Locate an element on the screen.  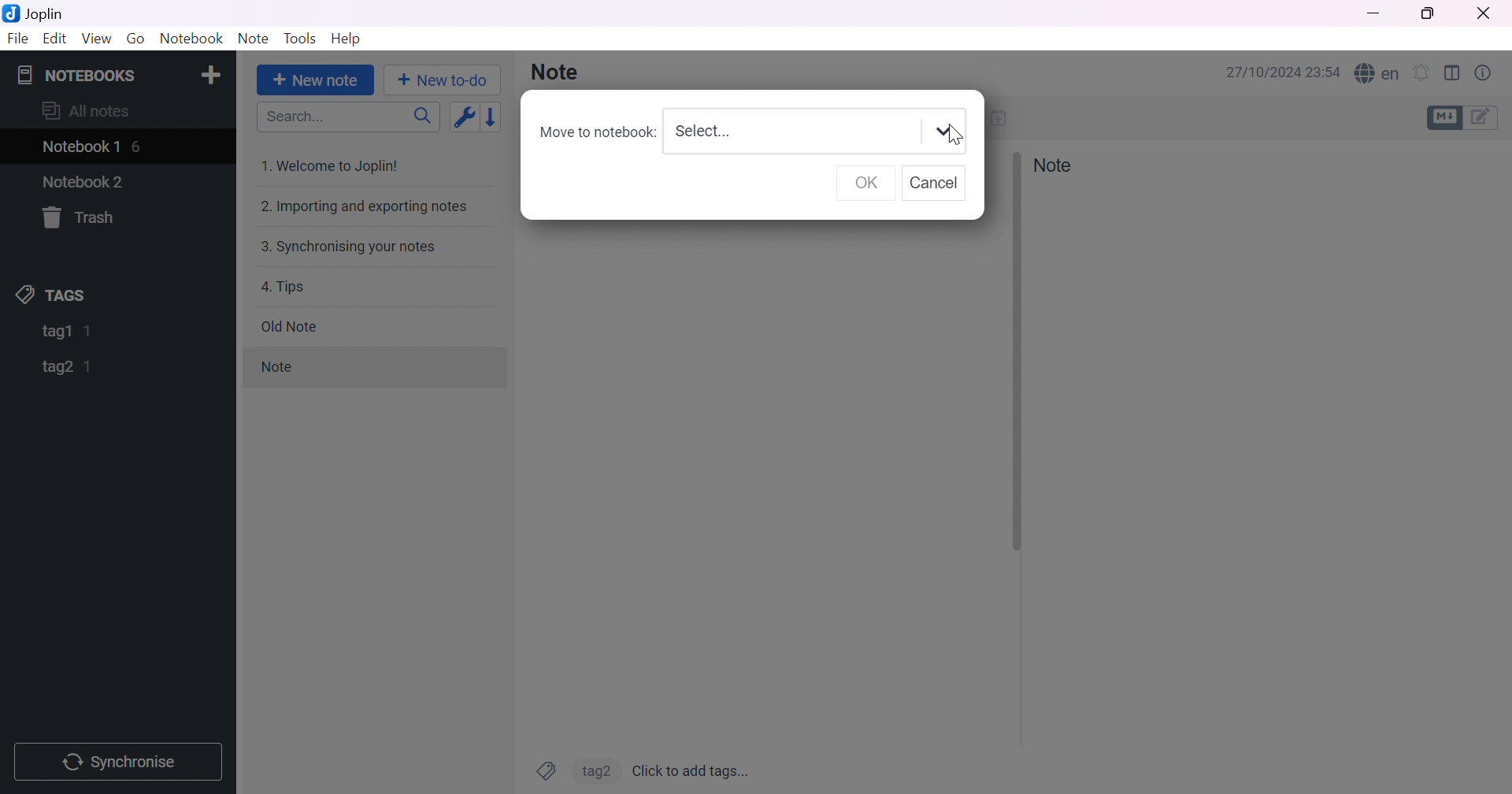
Click to add tags is located at coordinates (692, 769).